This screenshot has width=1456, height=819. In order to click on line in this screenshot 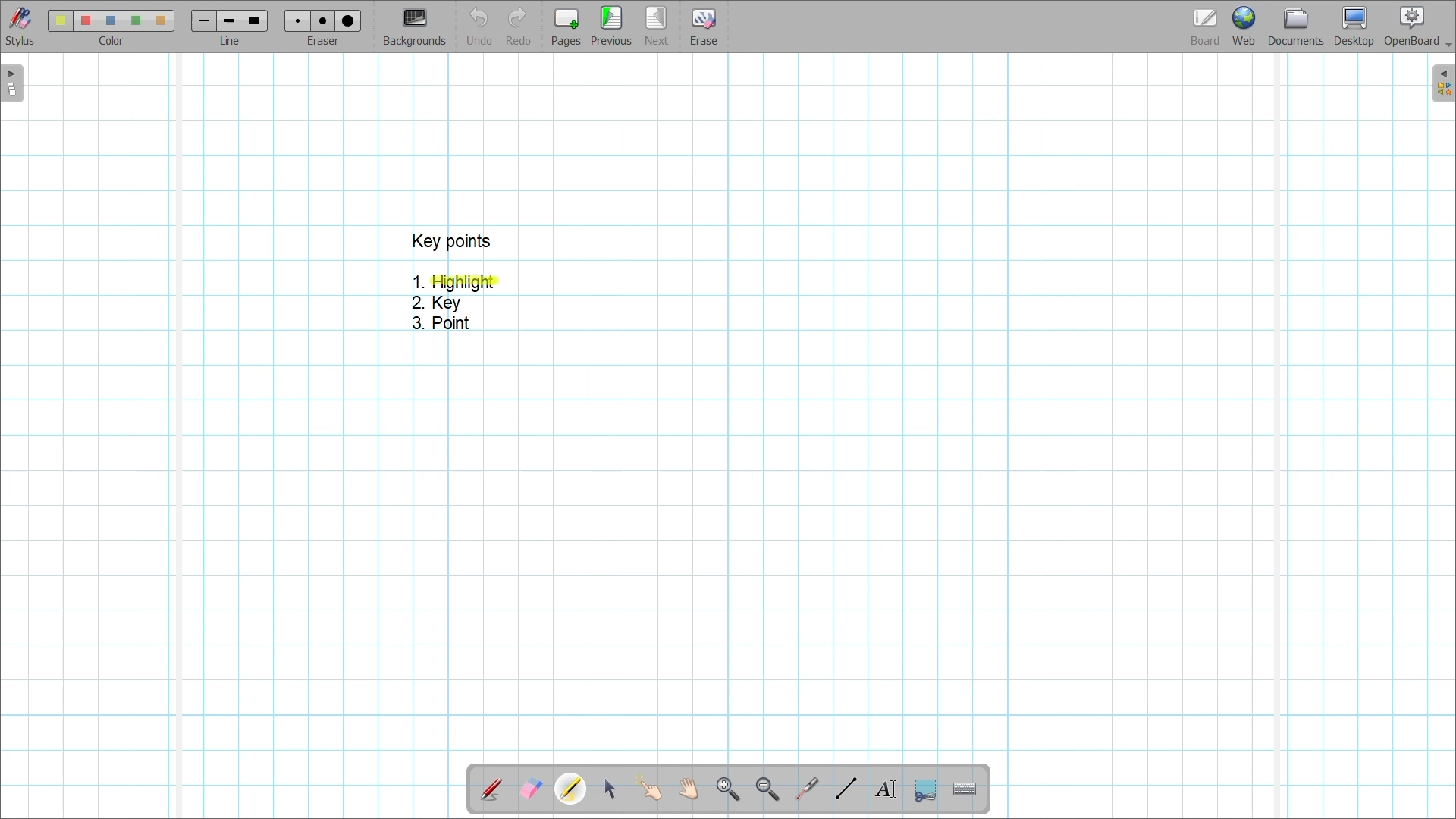, I will do `click(234, 42)`.